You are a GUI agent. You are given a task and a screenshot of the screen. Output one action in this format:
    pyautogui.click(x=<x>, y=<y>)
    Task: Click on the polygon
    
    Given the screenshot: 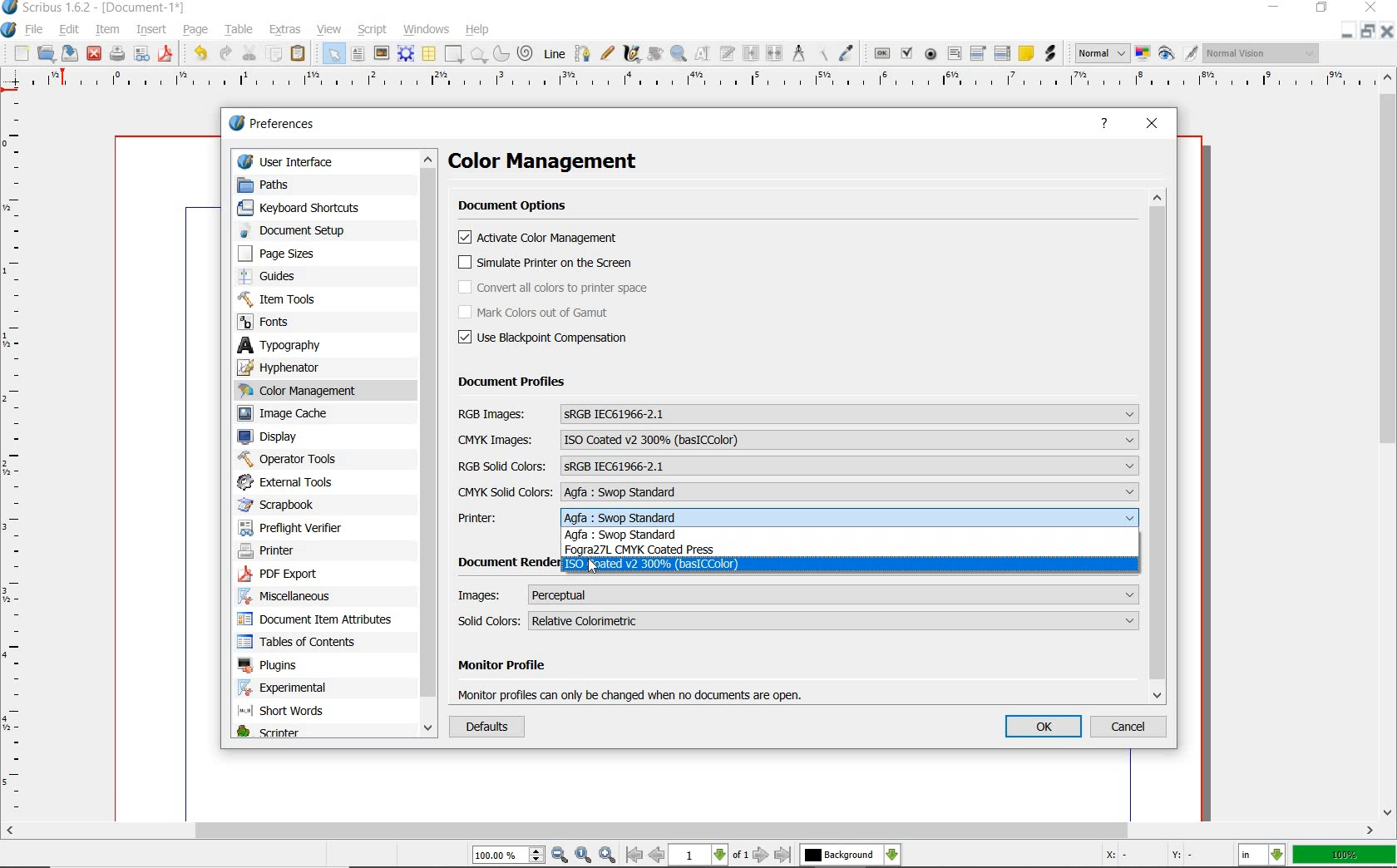 What is the action you would take?
    pyautogui.click(x=479, y=55)
    